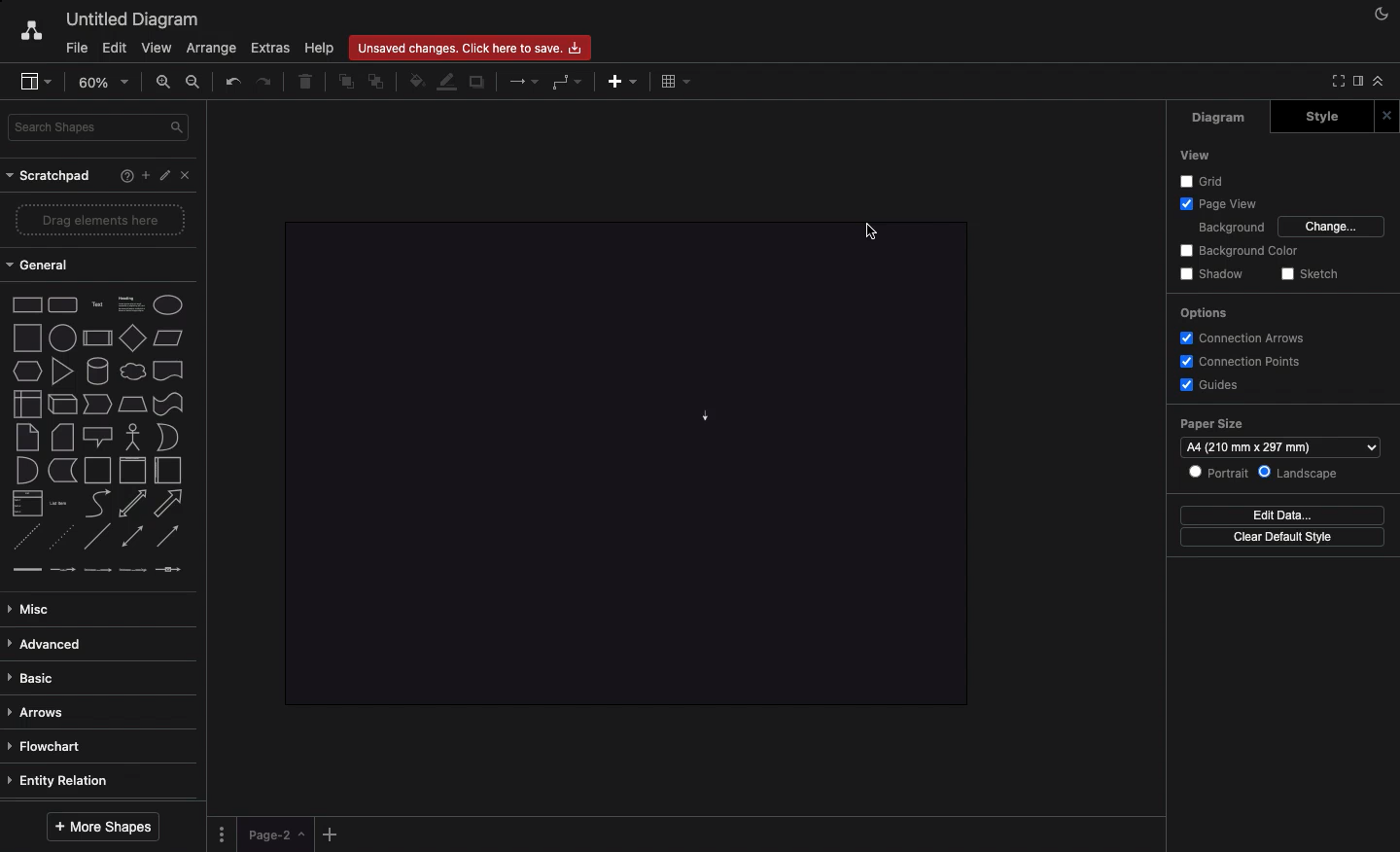 This screenshot has width=1400, height=852. I want to click on Options, so click(225, 833).